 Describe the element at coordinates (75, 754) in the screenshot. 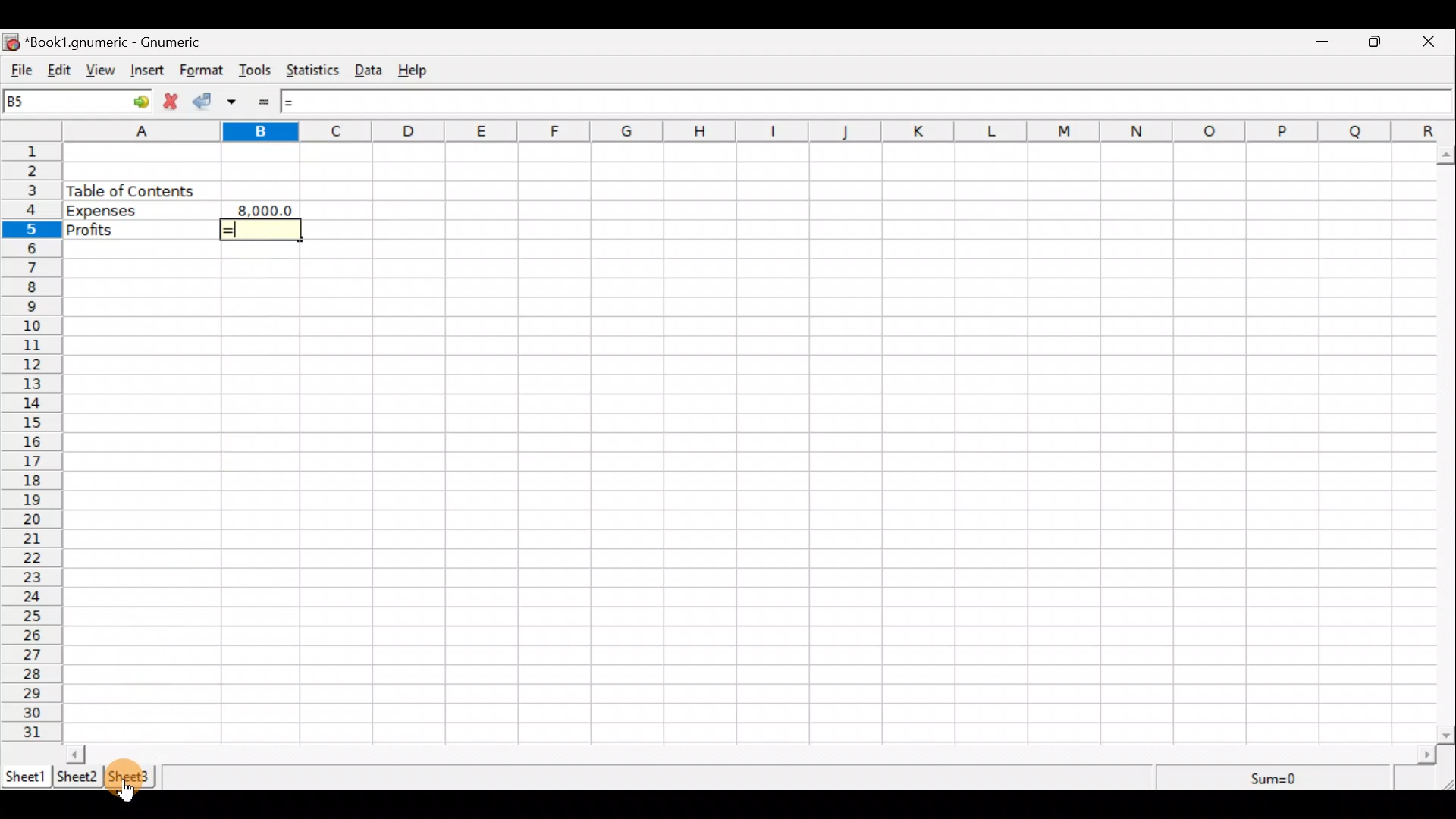

I see `scroll left` at that location.